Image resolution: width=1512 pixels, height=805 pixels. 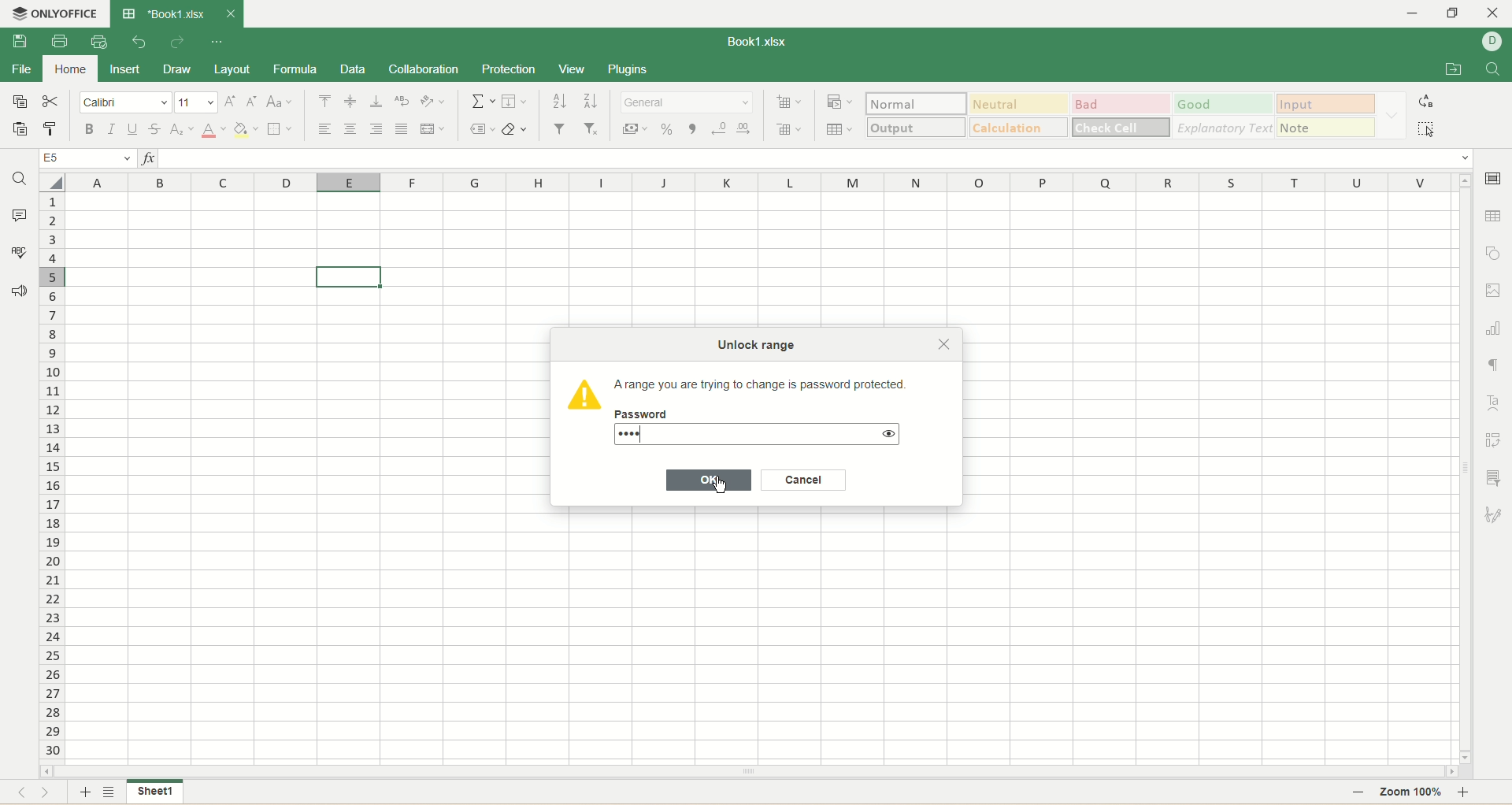 What do you see at coordinates (1020, 105) in the screenshot?
I see `neutral` at bounding box center [1020, 105].